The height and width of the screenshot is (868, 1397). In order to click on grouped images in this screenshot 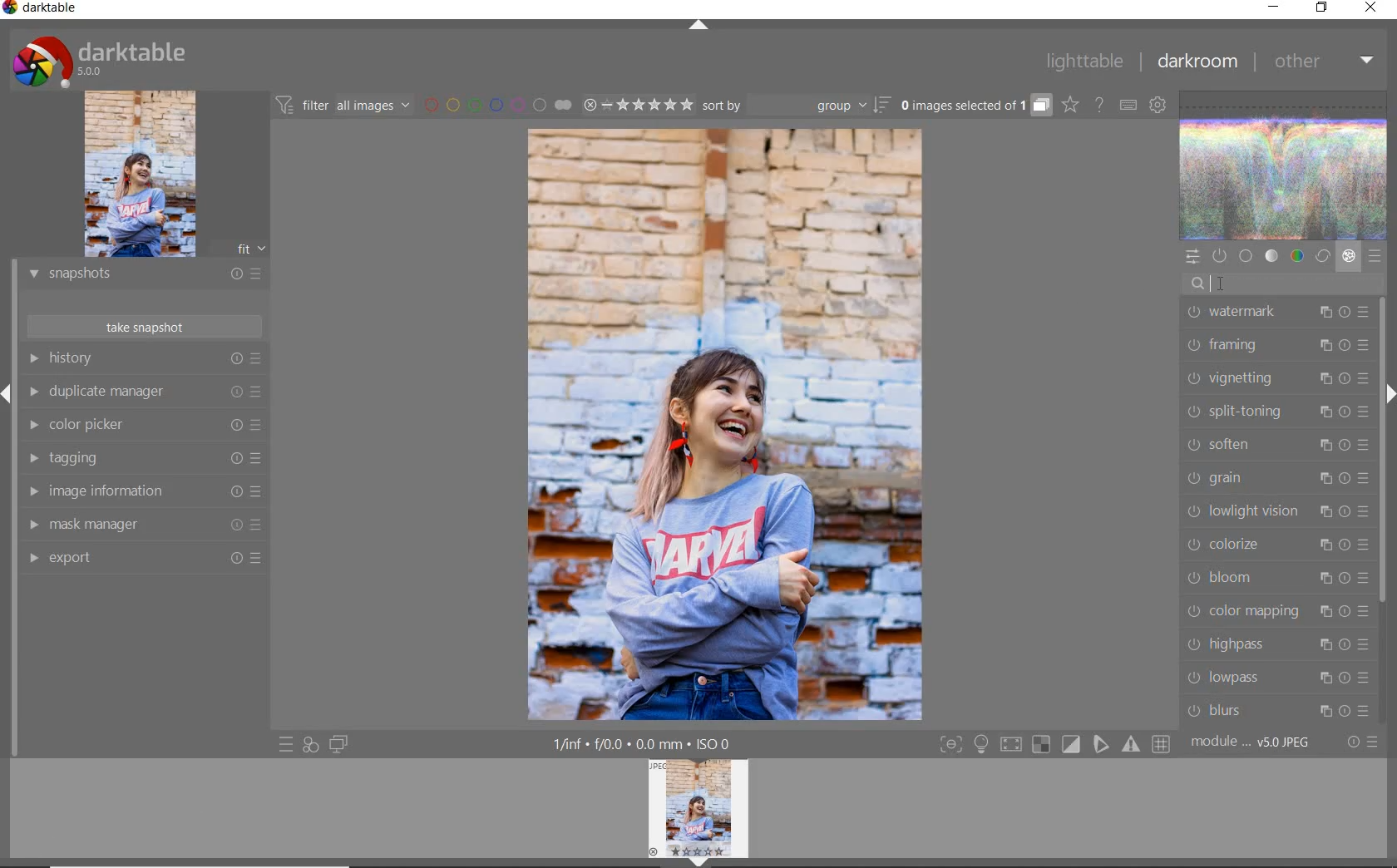, I will do `click(975, 106)`.